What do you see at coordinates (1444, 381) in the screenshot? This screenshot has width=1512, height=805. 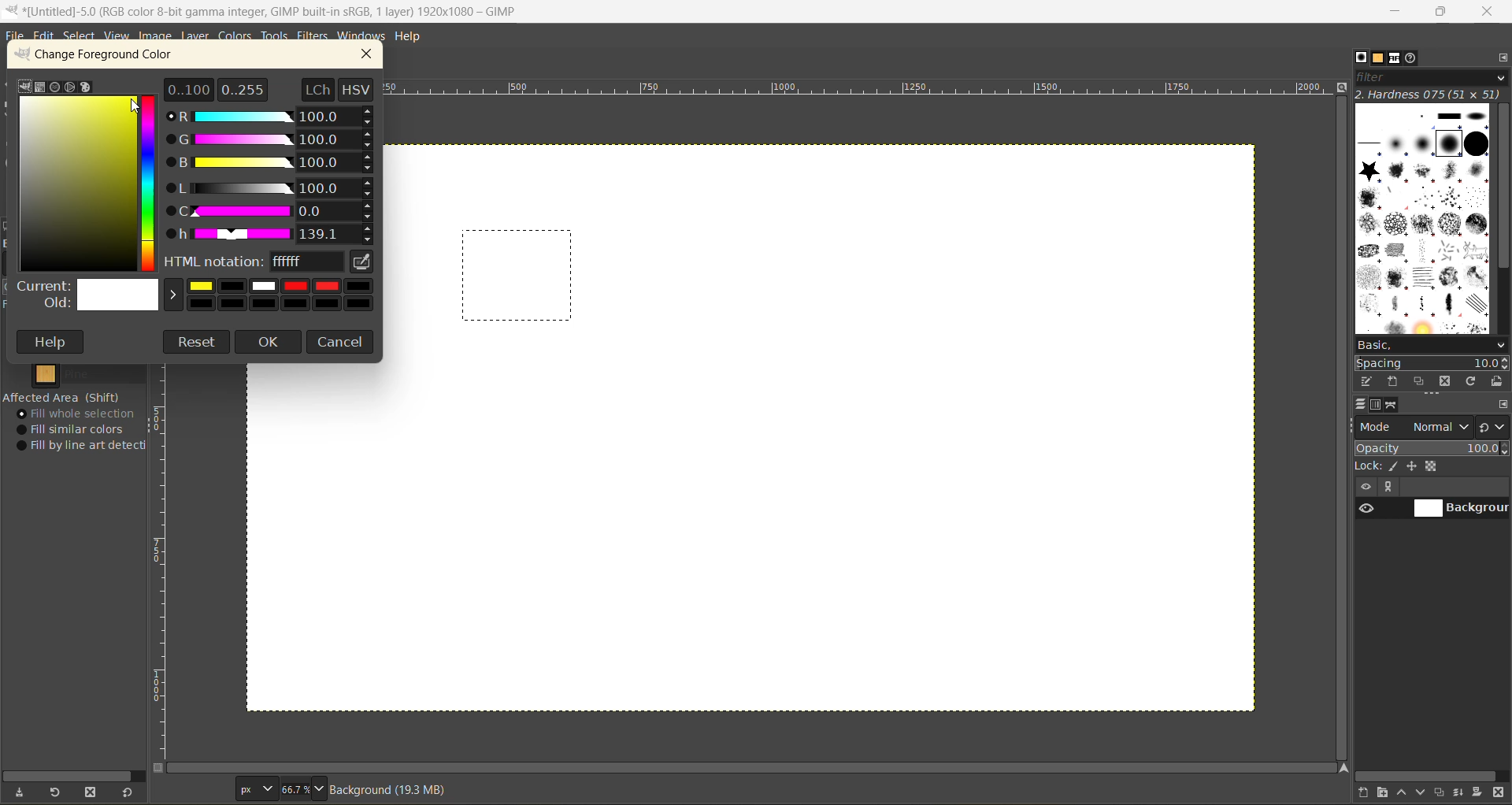 I see `delete this brush` at bounding box center [1444, 381].